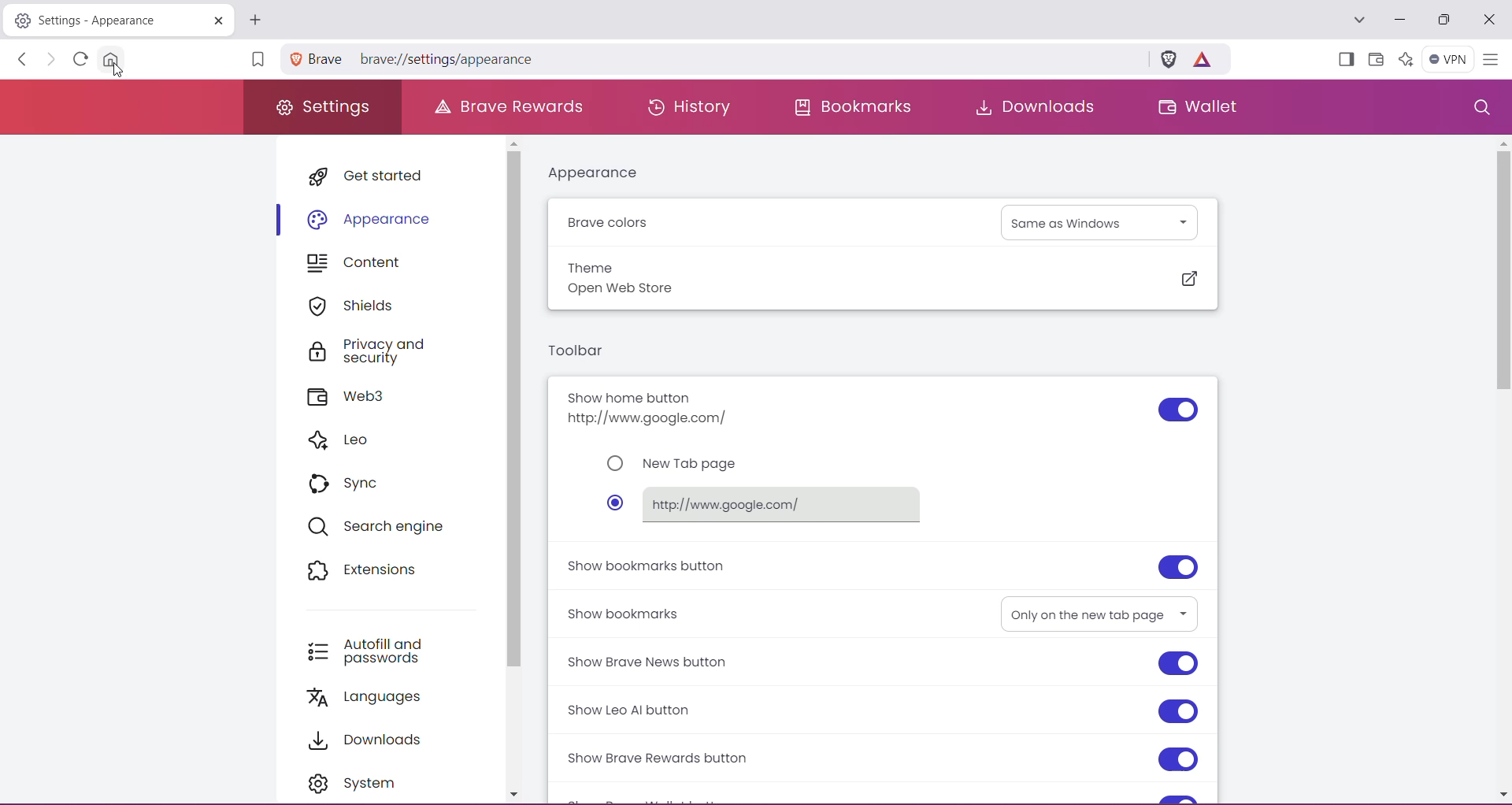 This screenshot has width=1512, height=805. Describe the element at coordinates (1404, 58) in the screenshot. I see `Leo AI` at that location.